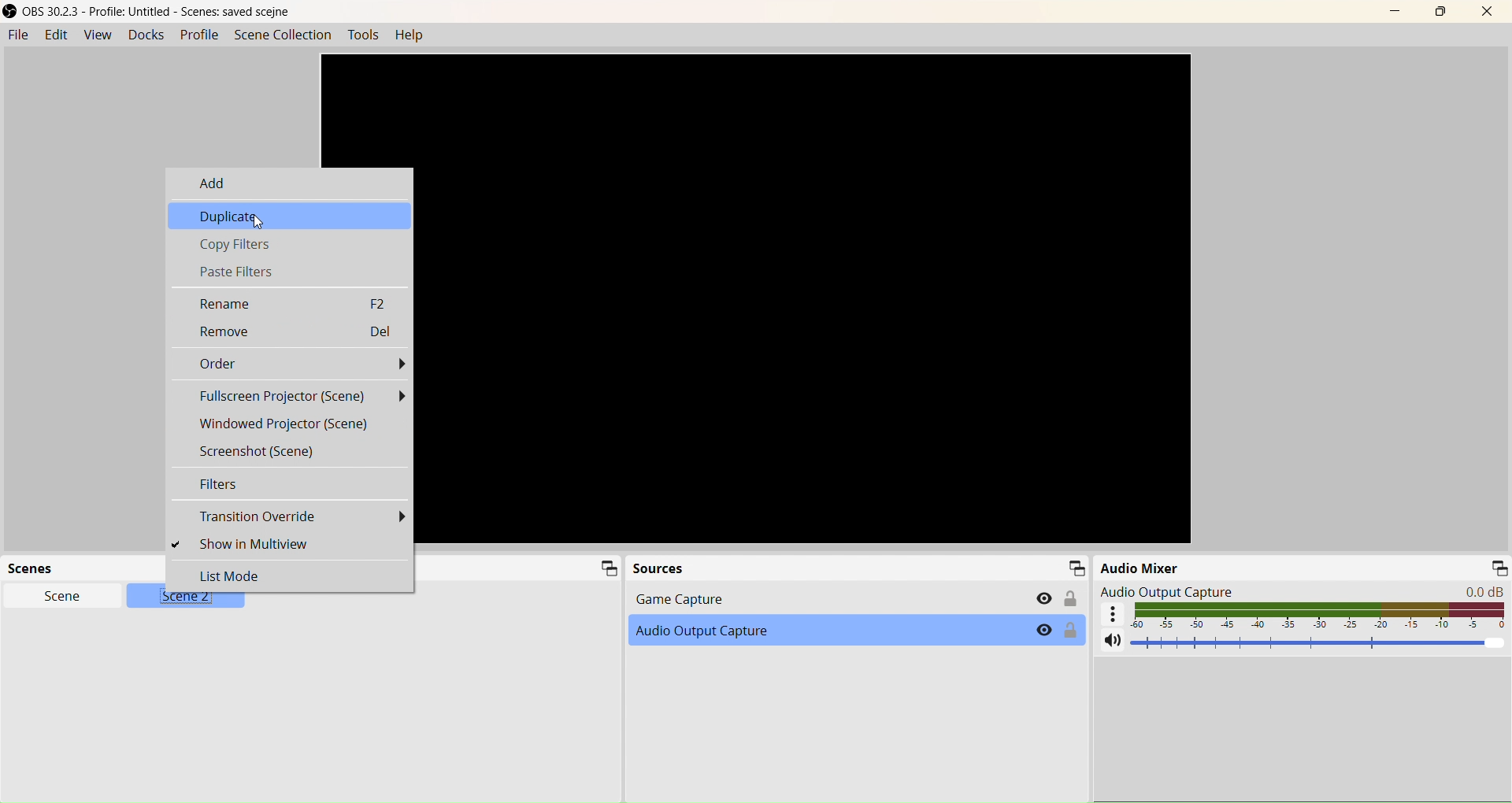 Image resolution: width=1512 pixels, height=803 pixels. Describe the element at coordinates (1440, 12) in the screenshot. I see `Maximize` at that location.